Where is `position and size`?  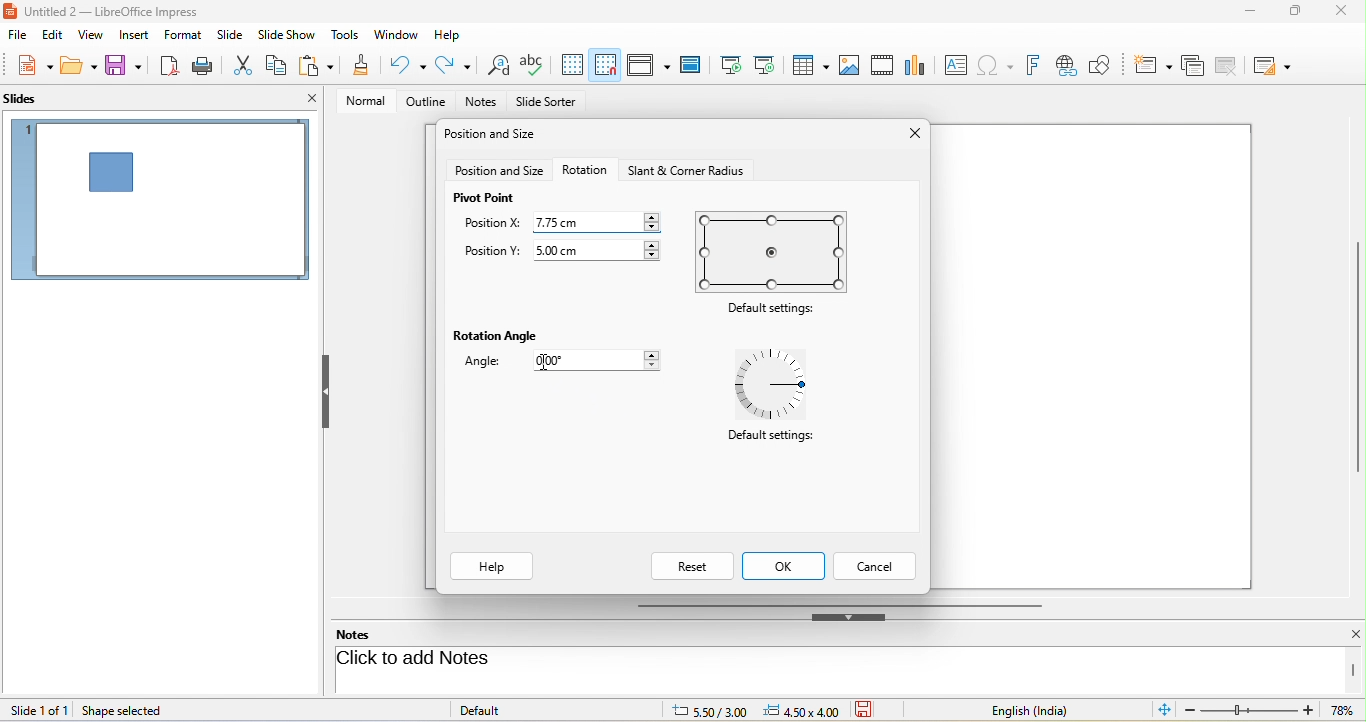
position and size is located at coordinates (494, 136).